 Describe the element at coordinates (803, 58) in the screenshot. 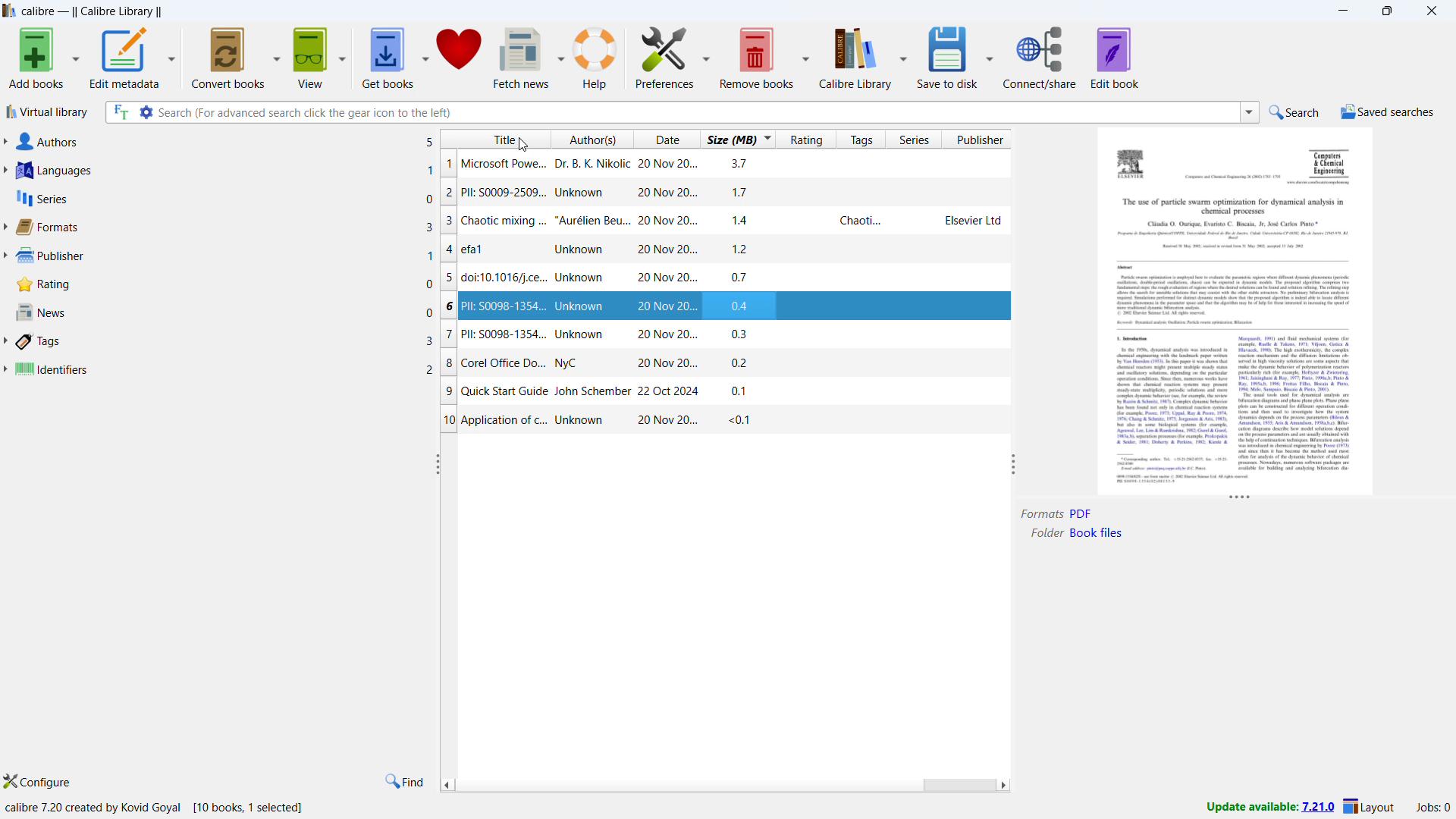

I see `remove books options` at that location.